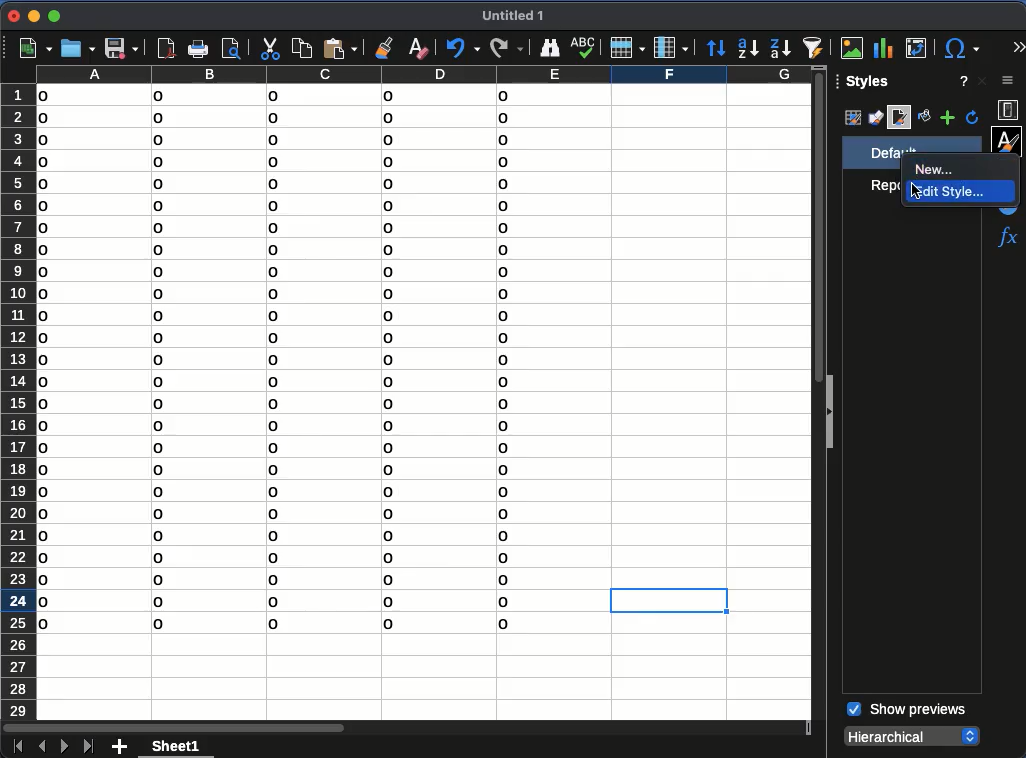 The width and height of the screenshot is (1026, 758). I want to click on hierarchical , so click(914, 735).